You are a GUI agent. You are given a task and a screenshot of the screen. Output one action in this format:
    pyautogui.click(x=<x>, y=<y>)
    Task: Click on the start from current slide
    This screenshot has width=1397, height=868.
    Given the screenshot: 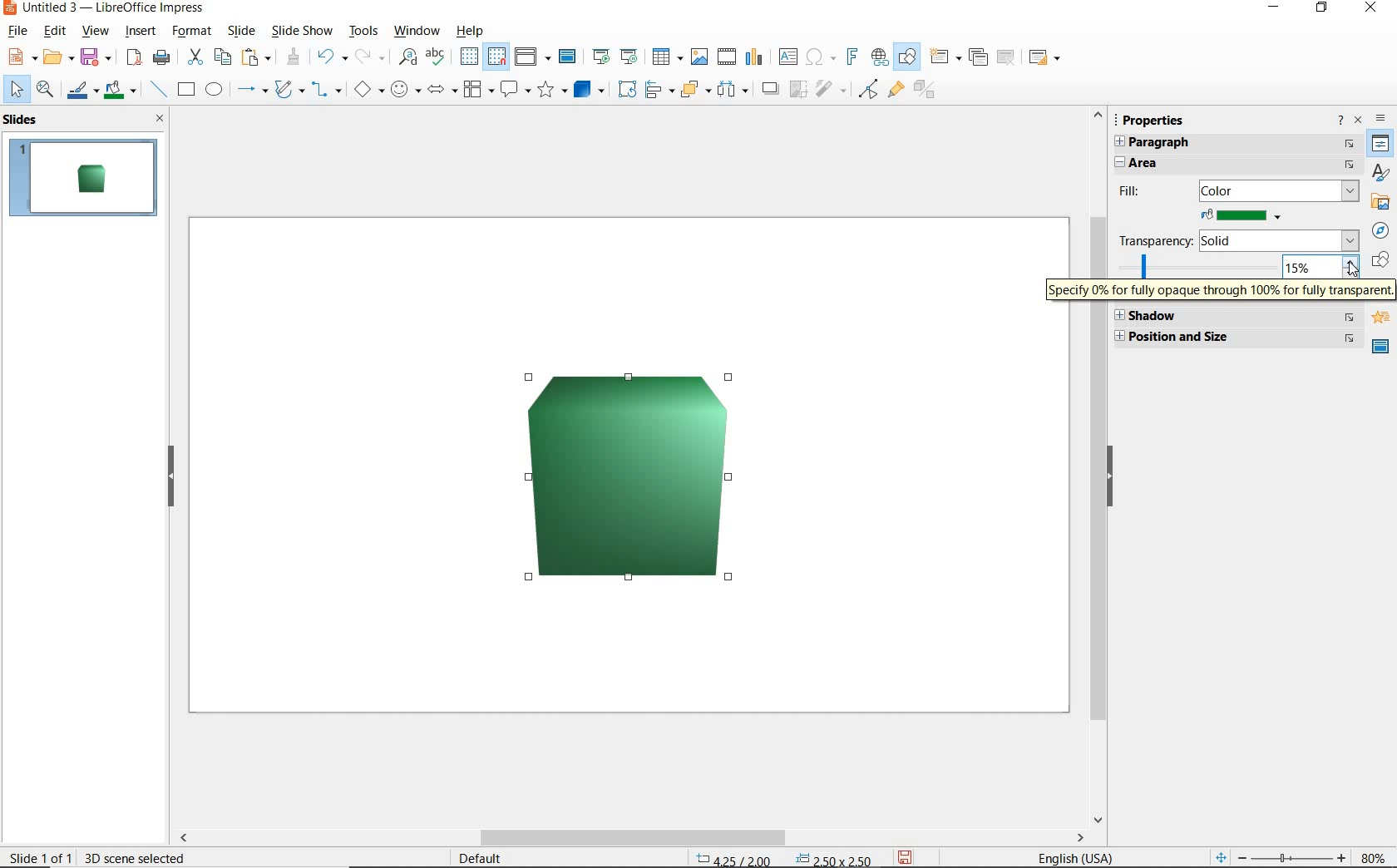 What is the action you would take?
    pyautogui.click(x=630, y=57)
    